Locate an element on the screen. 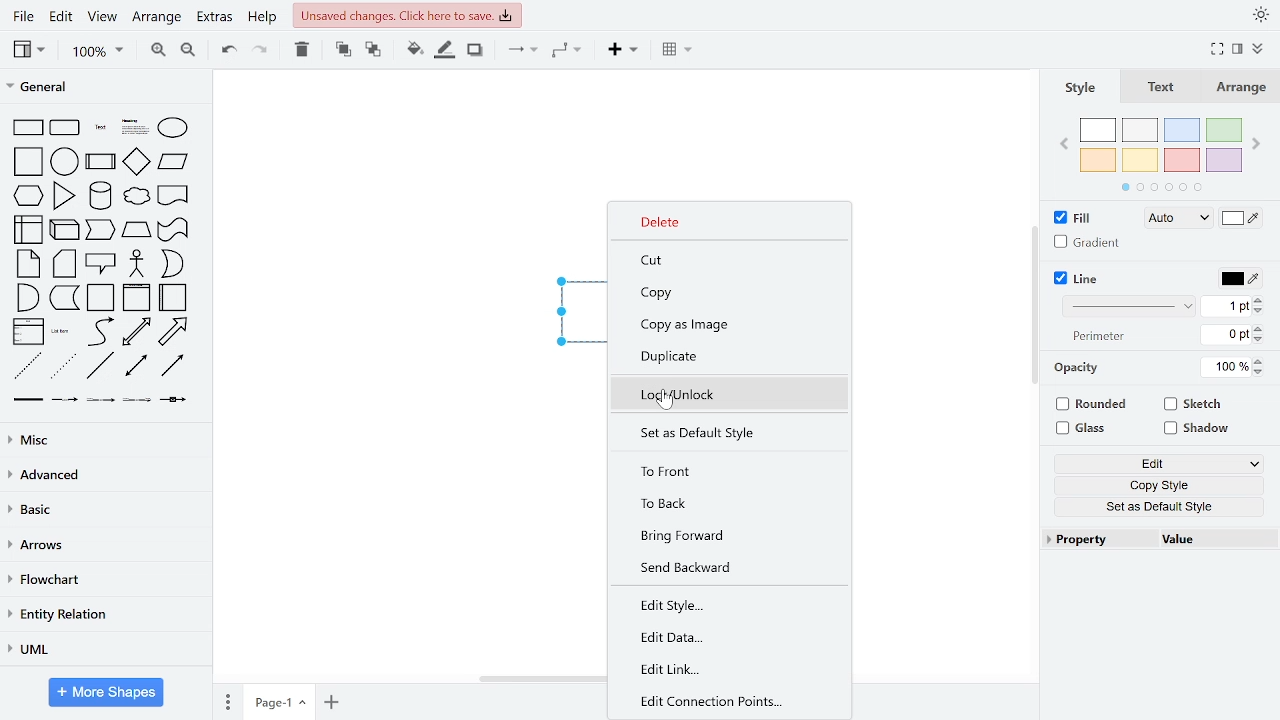 The image size is (1280, 720). list is located at coordinates (27, 333).